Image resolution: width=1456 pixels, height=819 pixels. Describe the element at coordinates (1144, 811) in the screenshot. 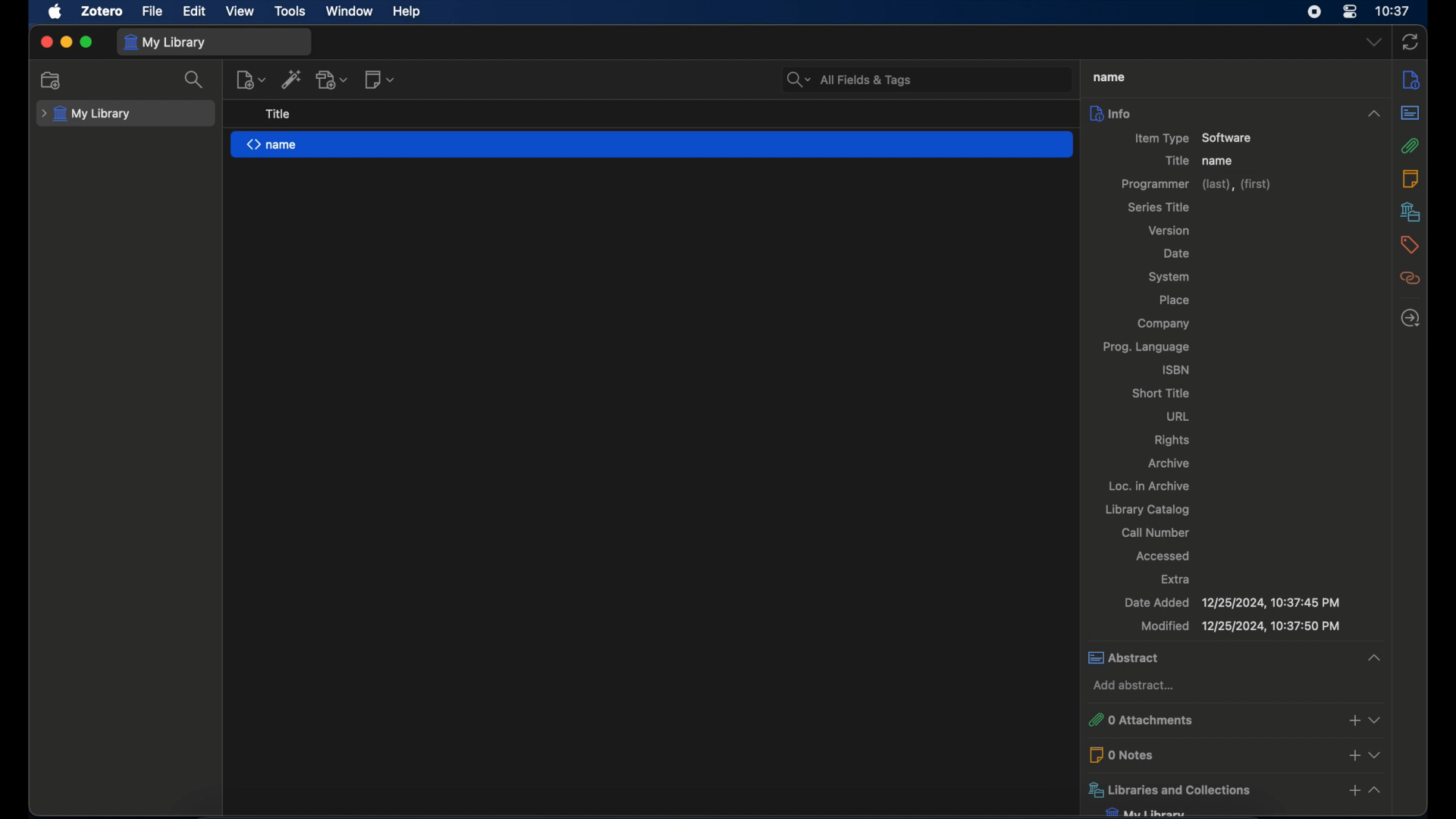

I see `my library` at that location.